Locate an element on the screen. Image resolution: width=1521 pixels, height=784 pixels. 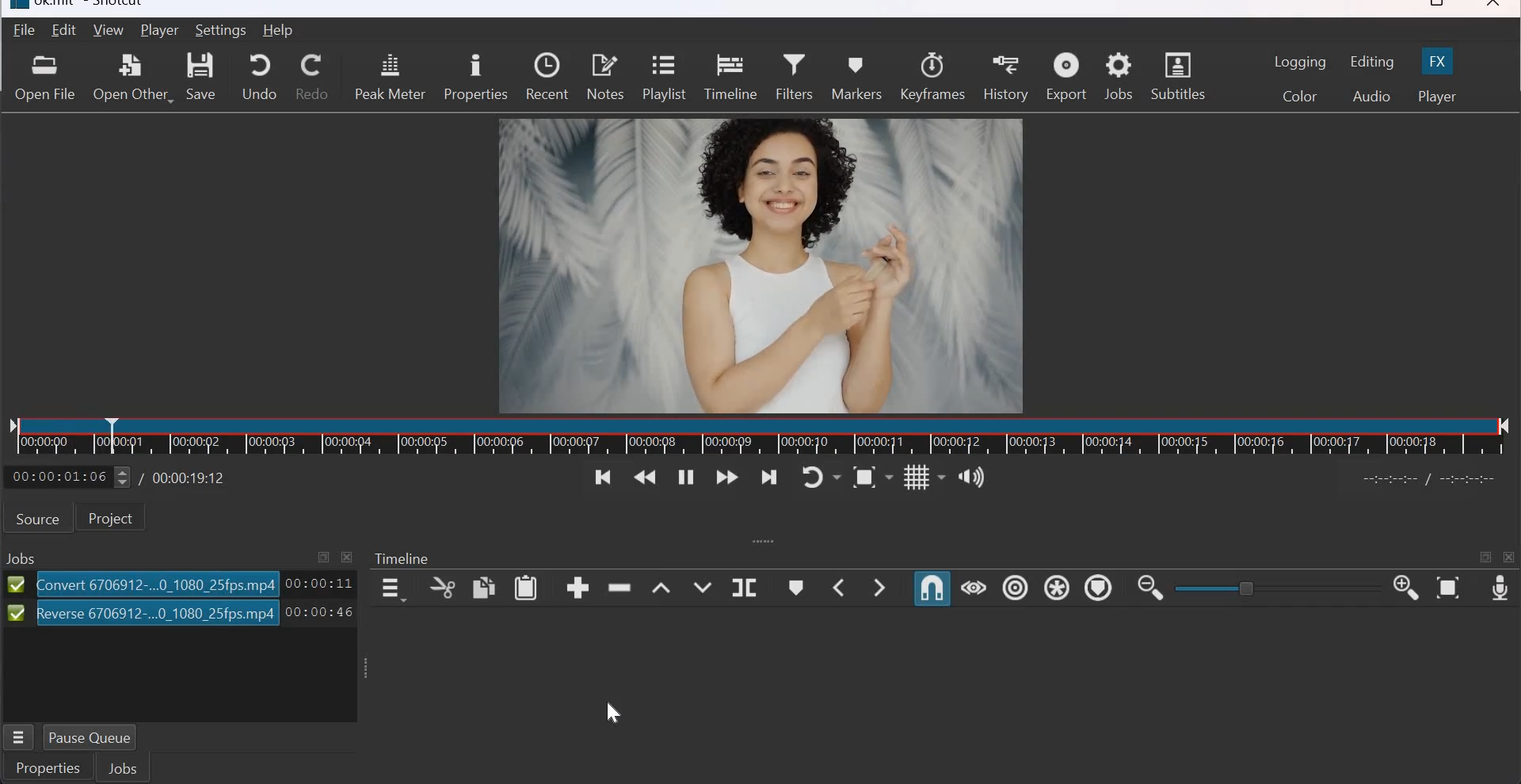
Keyframes is located at coordinates (933, 75).